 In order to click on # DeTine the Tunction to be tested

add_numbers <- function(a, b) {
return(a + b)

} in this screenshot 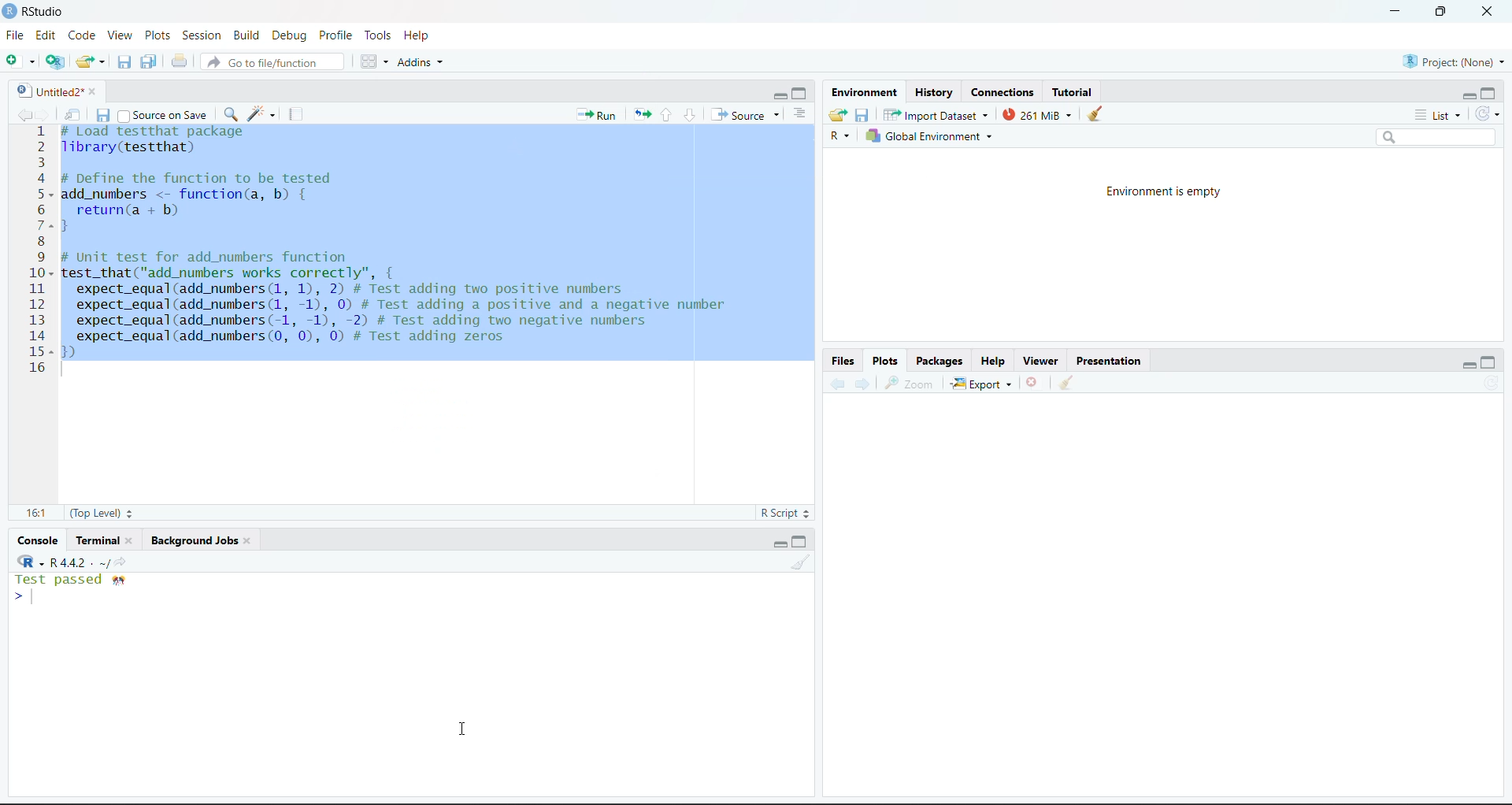, I will do `click(198, 204)`.